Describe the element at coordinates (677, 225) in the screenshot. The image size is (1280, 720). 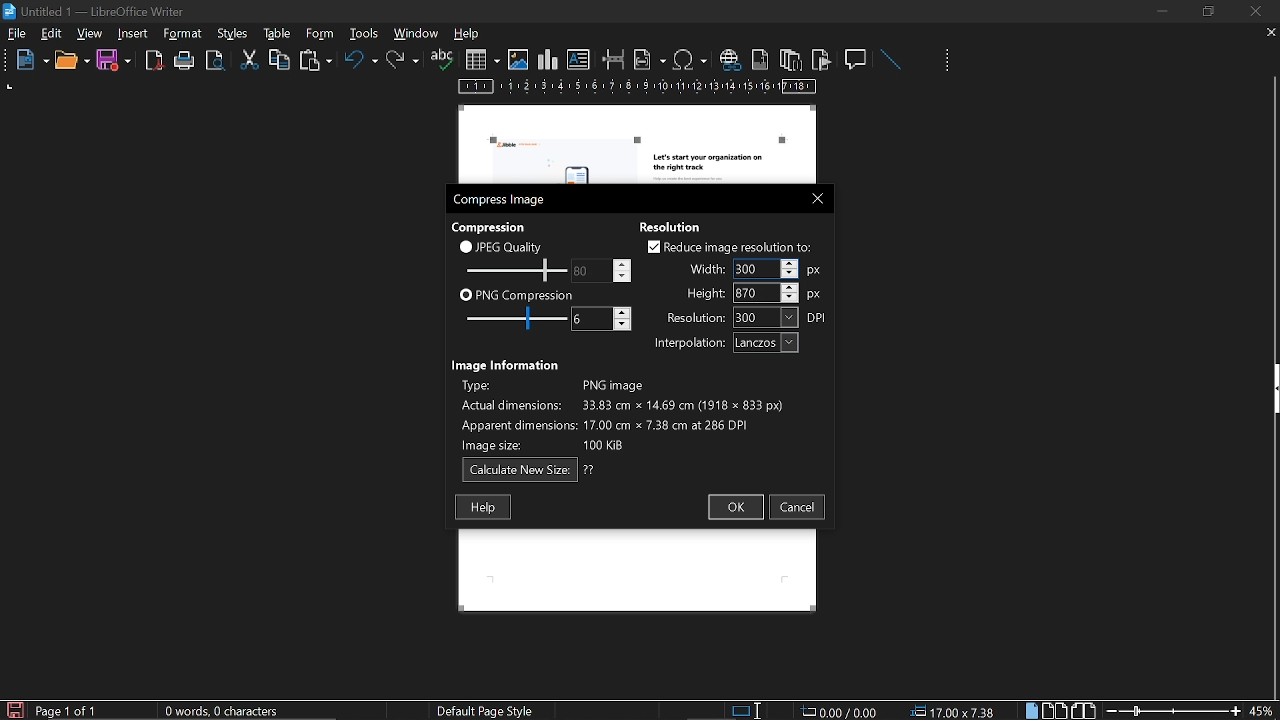
I see `Resolution` at that location.